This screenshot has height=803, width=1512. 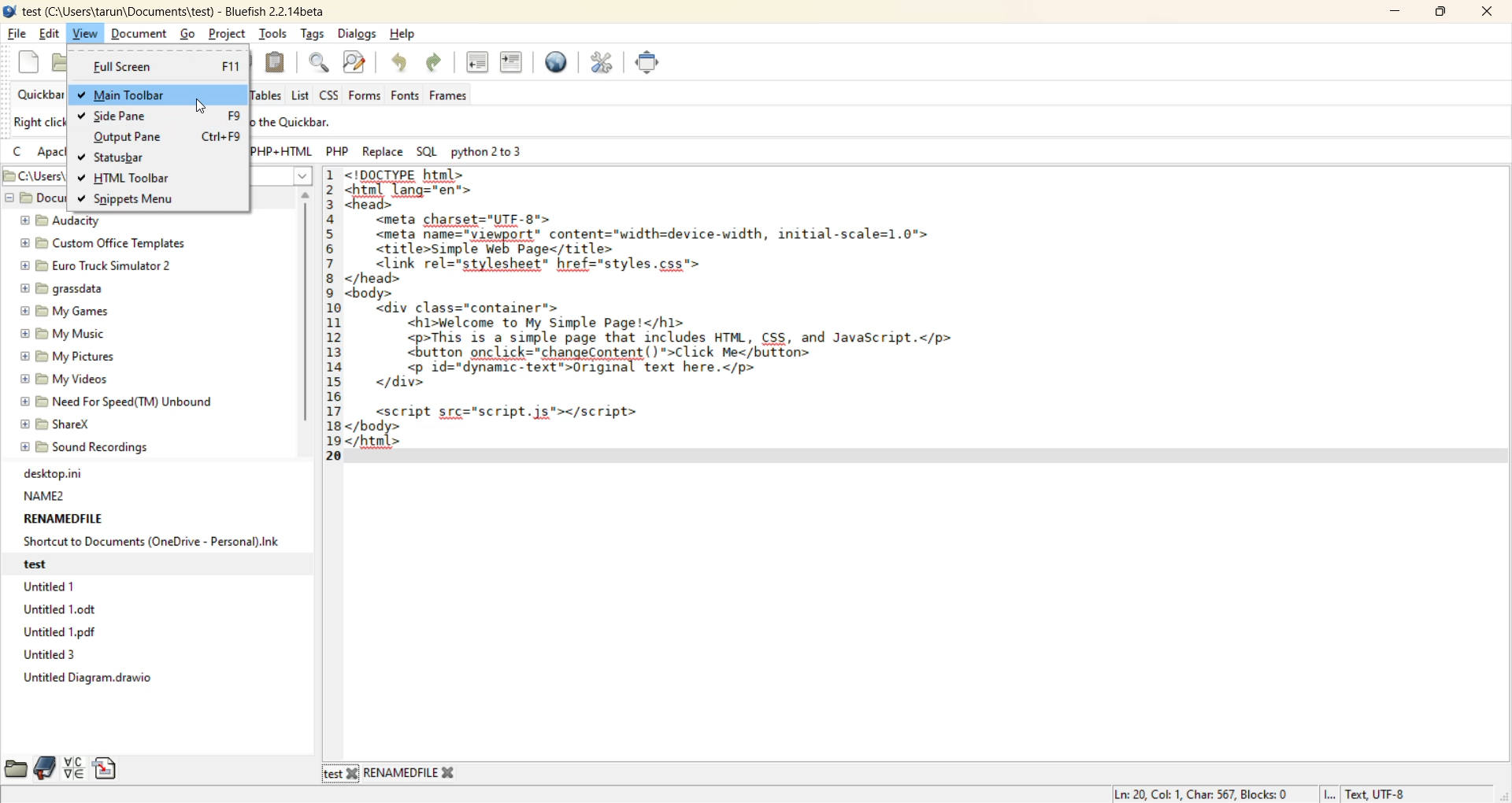 I want to click on NAME2, so click(x=45, y=495).